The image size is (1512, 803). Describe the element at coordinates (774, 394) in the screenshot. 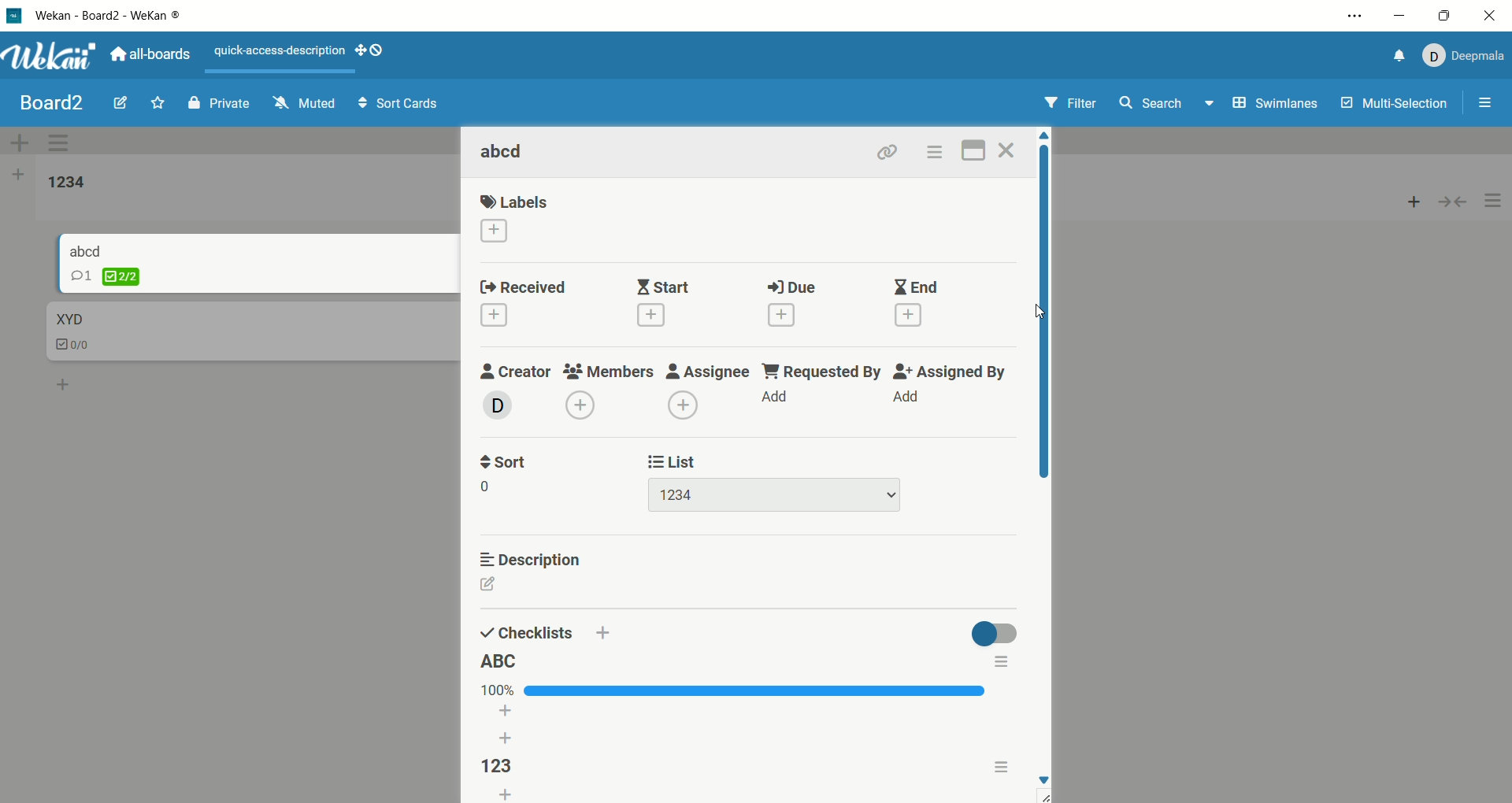

I see `add` at that location.